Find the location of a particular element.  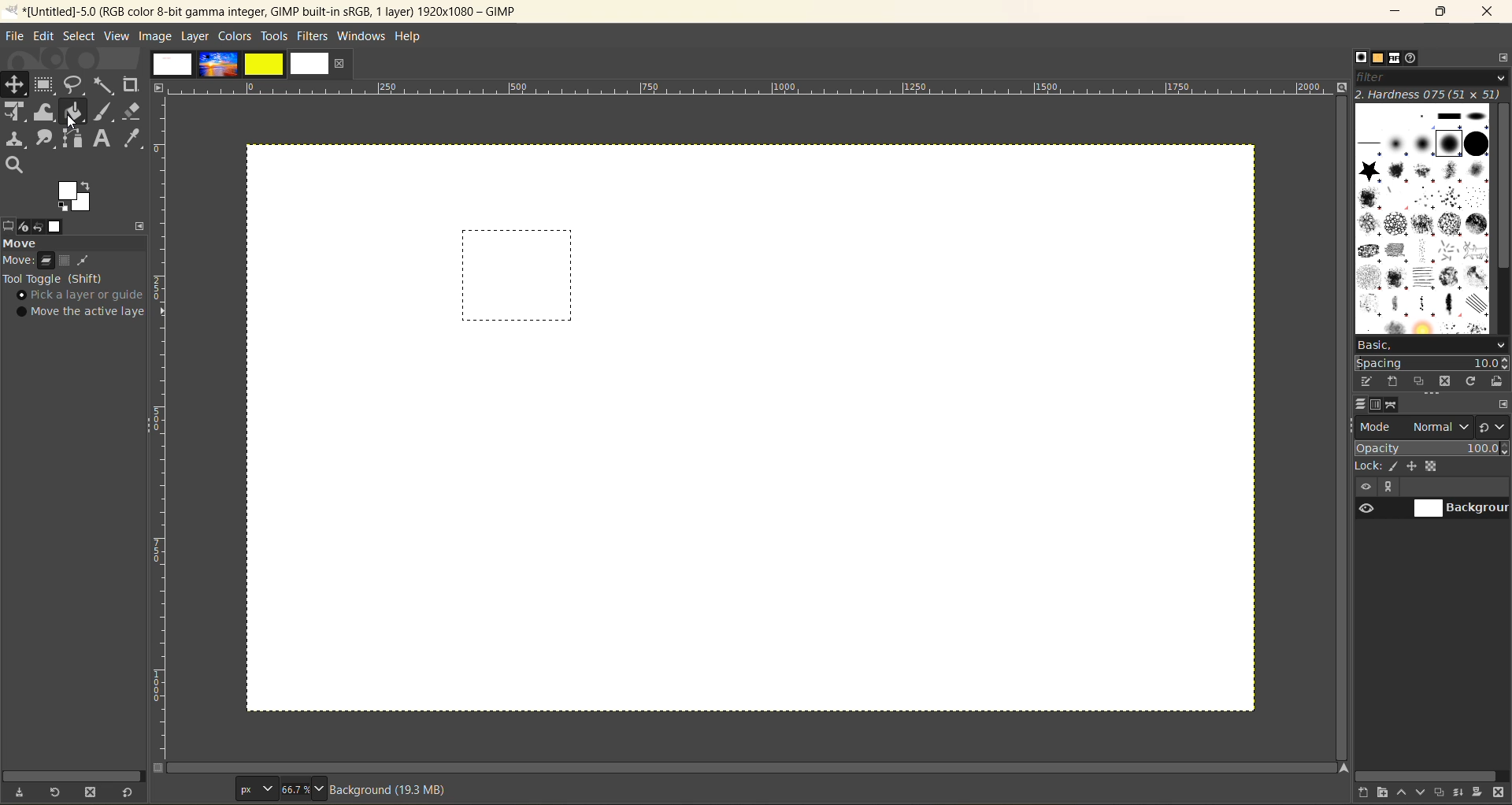

more is located at coordinates (1393, 488).